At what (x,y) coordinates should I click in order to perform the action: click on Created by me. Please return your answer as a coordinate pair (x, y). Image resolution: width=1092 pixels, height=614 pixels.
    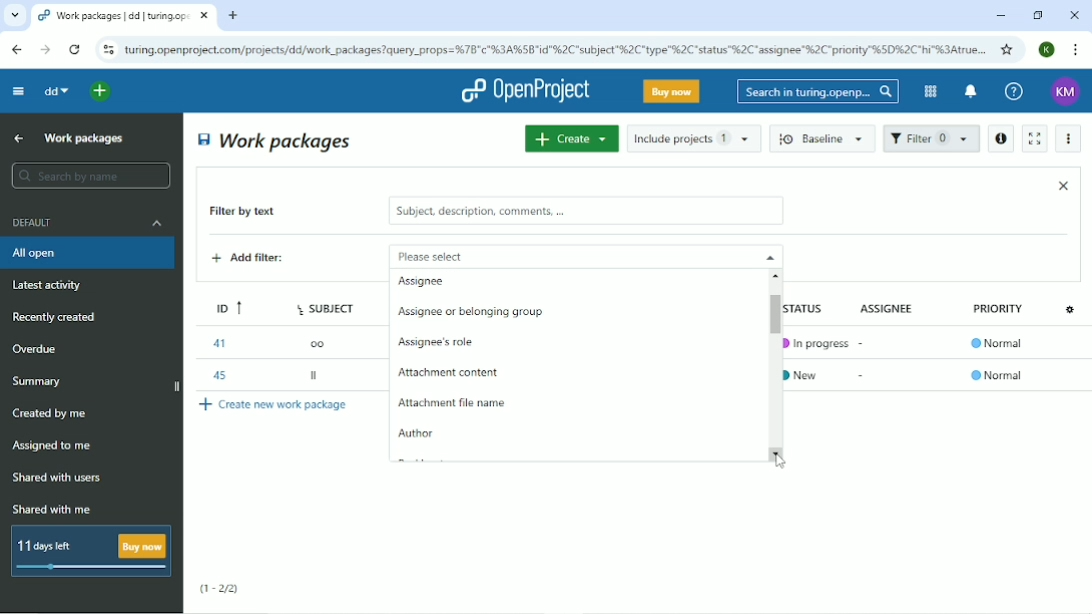
    Looking at the image, I should click on (53, 414).